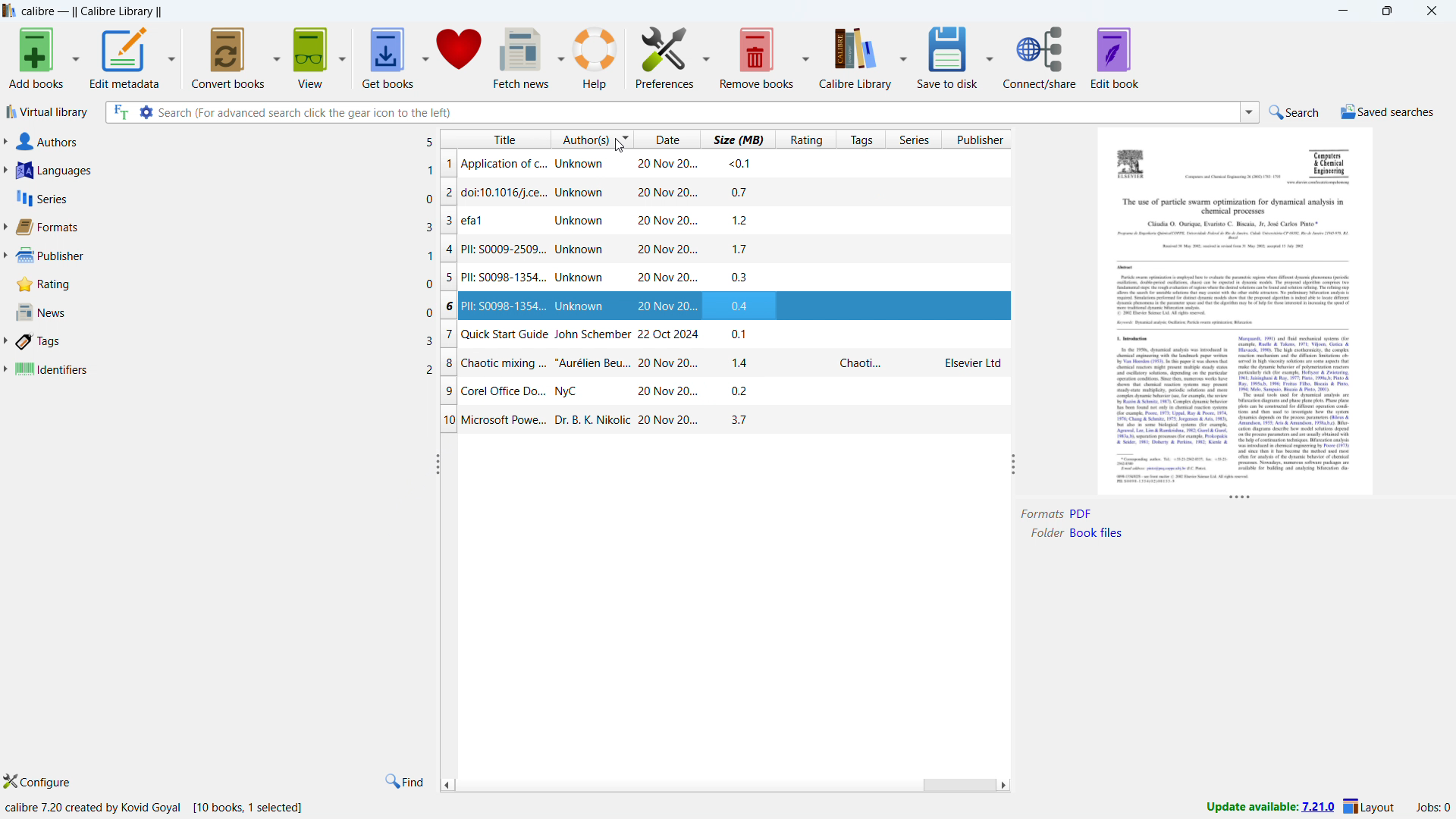 The image size is (1456, 819). I want to click on saved searhes, so click(1387, 111).